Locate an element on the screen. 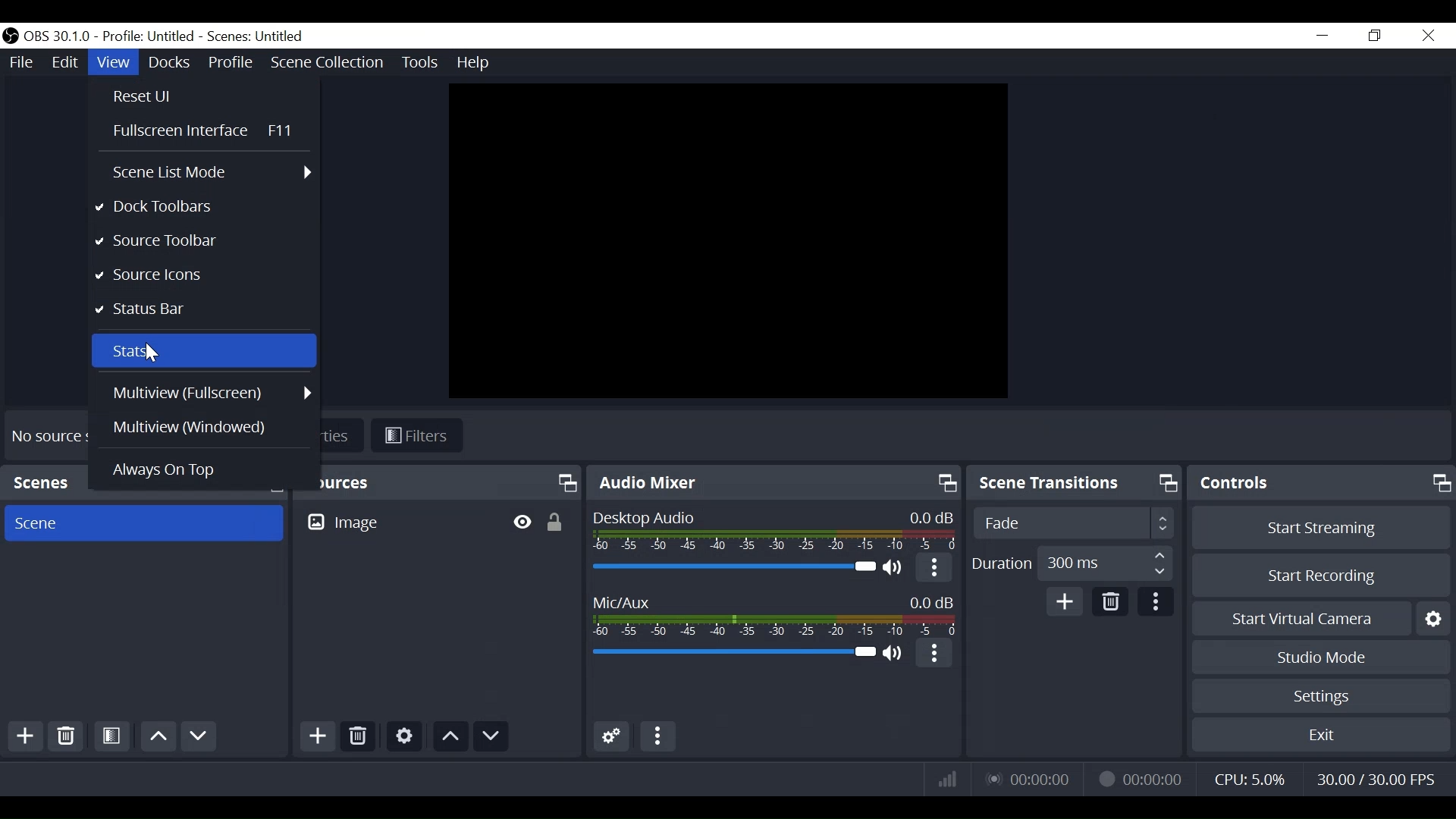  Add is located at coordinates (316, 736).